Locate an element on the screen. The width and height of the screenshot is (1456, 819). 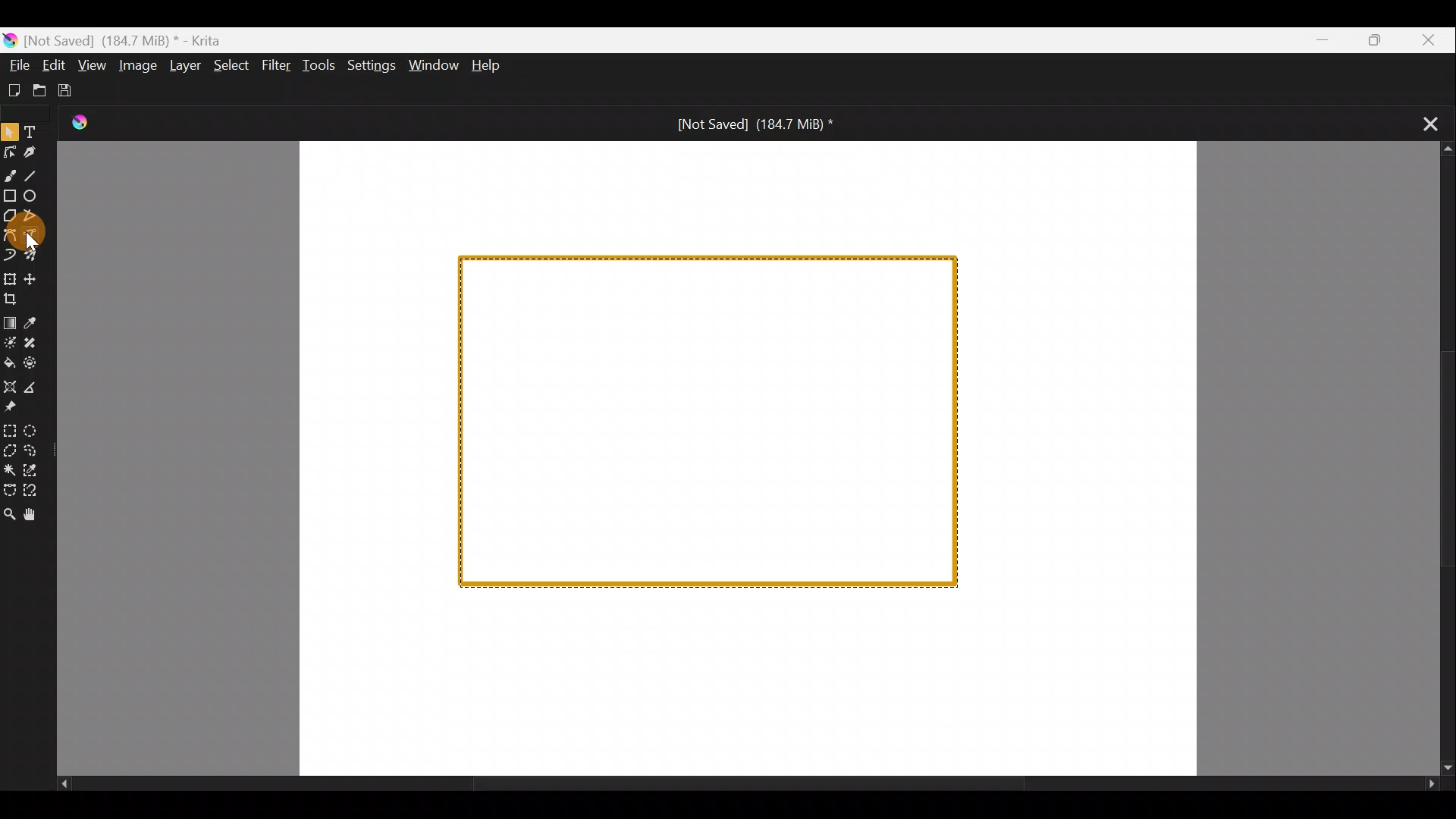
Krita Logo is located at coordinates (78, 118).